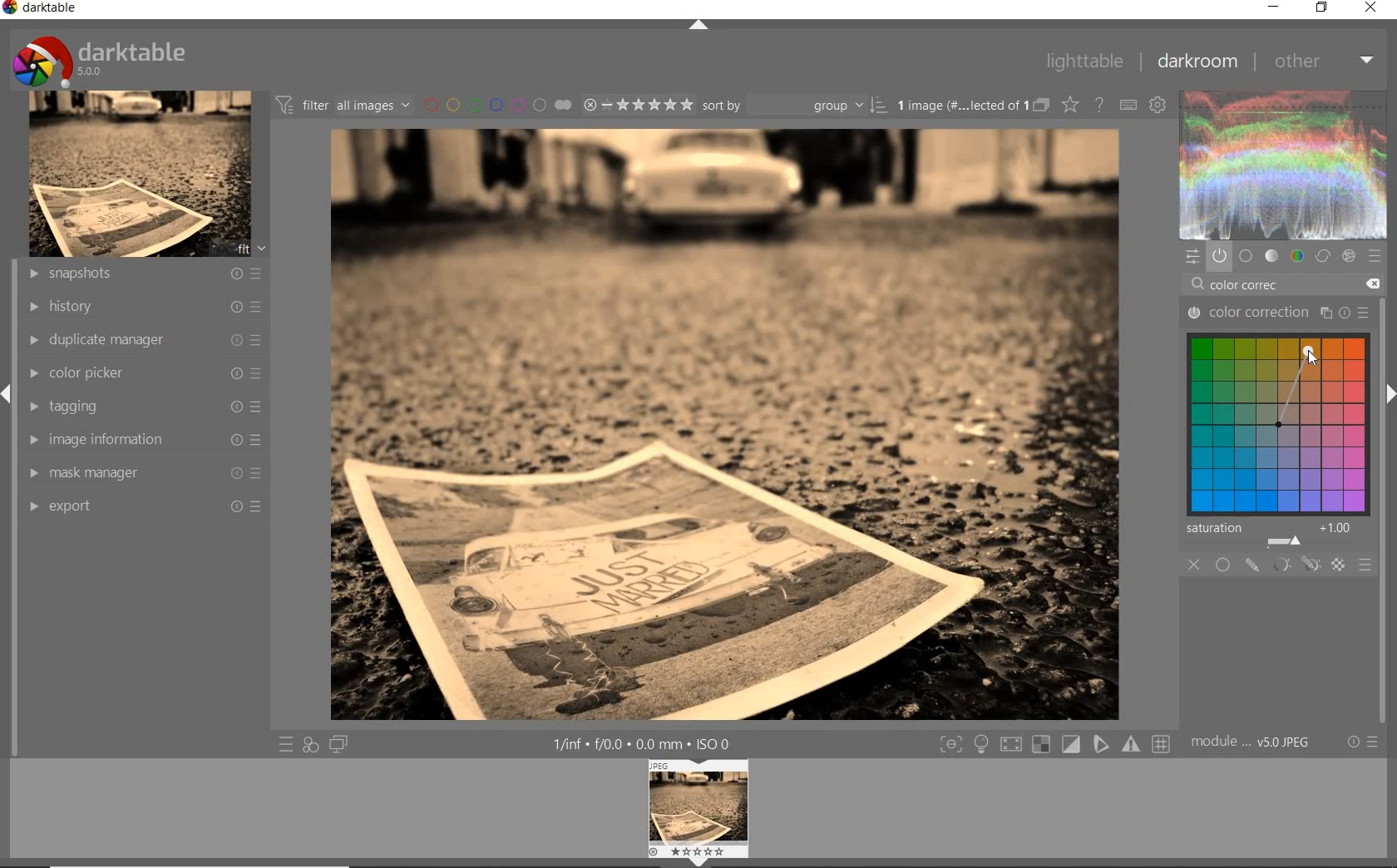  Describe the element at coordinates (142, 341) in the screenshot. I see `duplicate manager` at that location.